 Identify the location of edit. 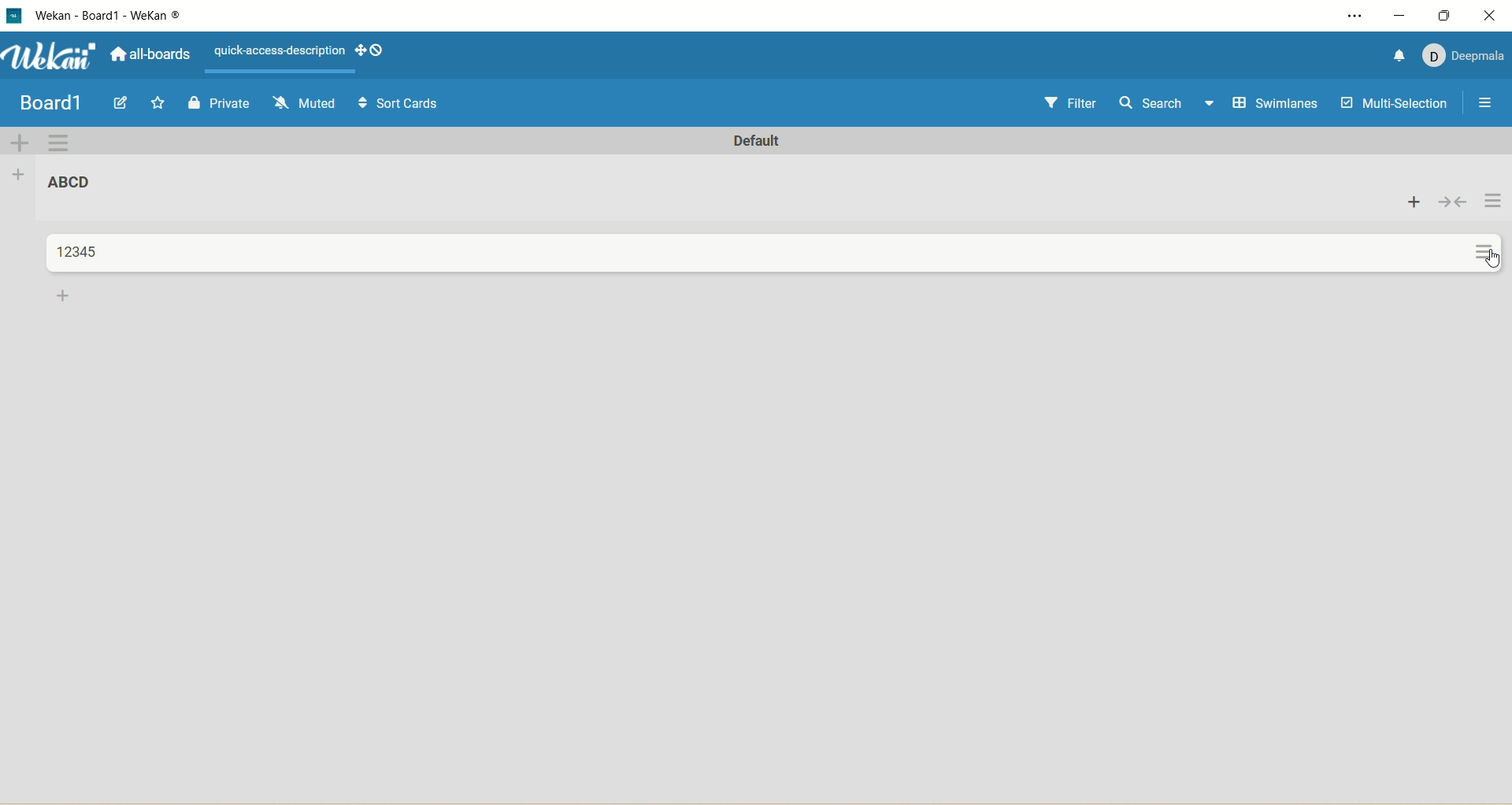
(124, 103).